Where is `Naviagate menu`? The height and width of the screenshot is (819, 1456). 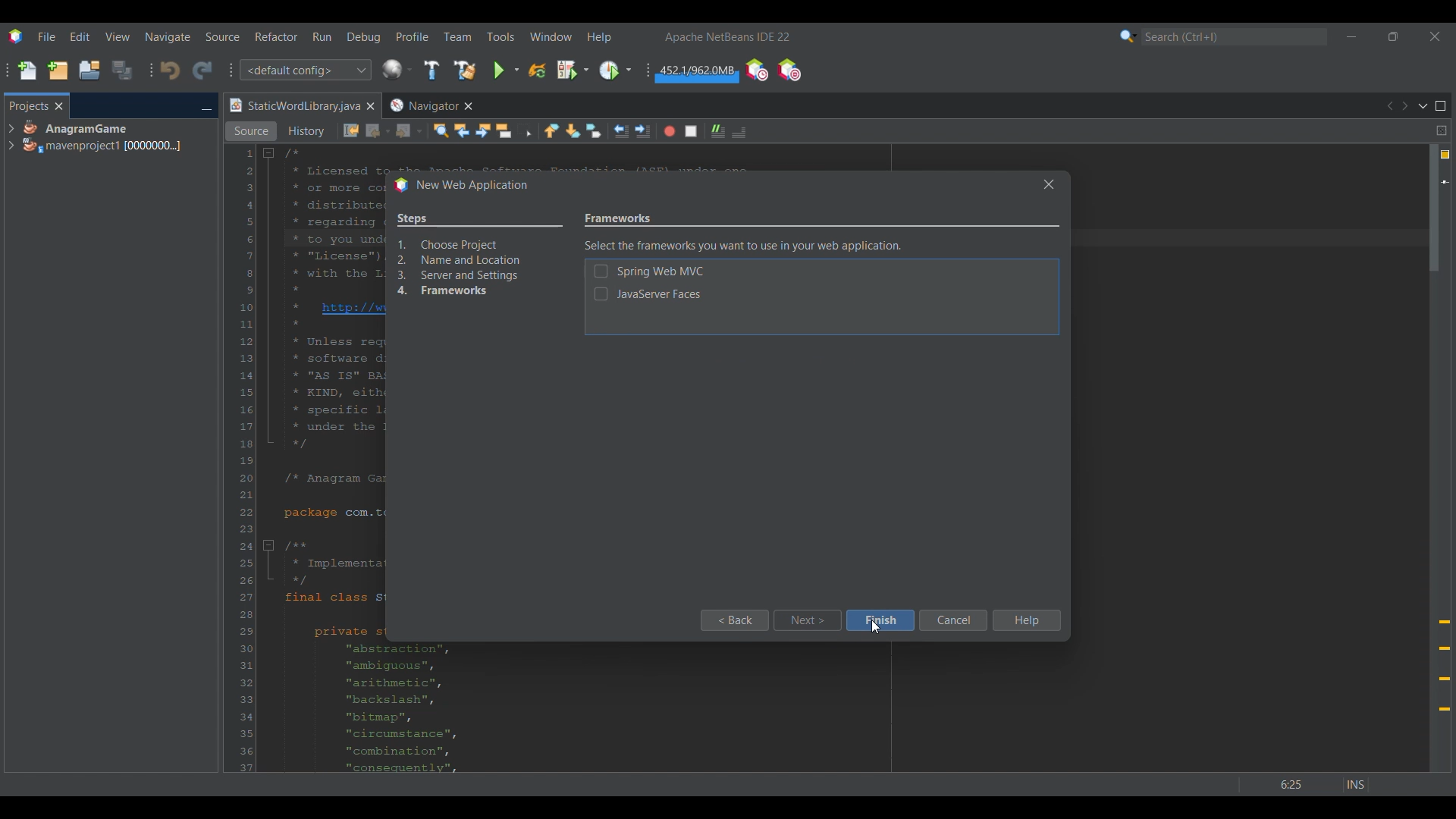
Naviagate menu is located at coordinates (168, 37).